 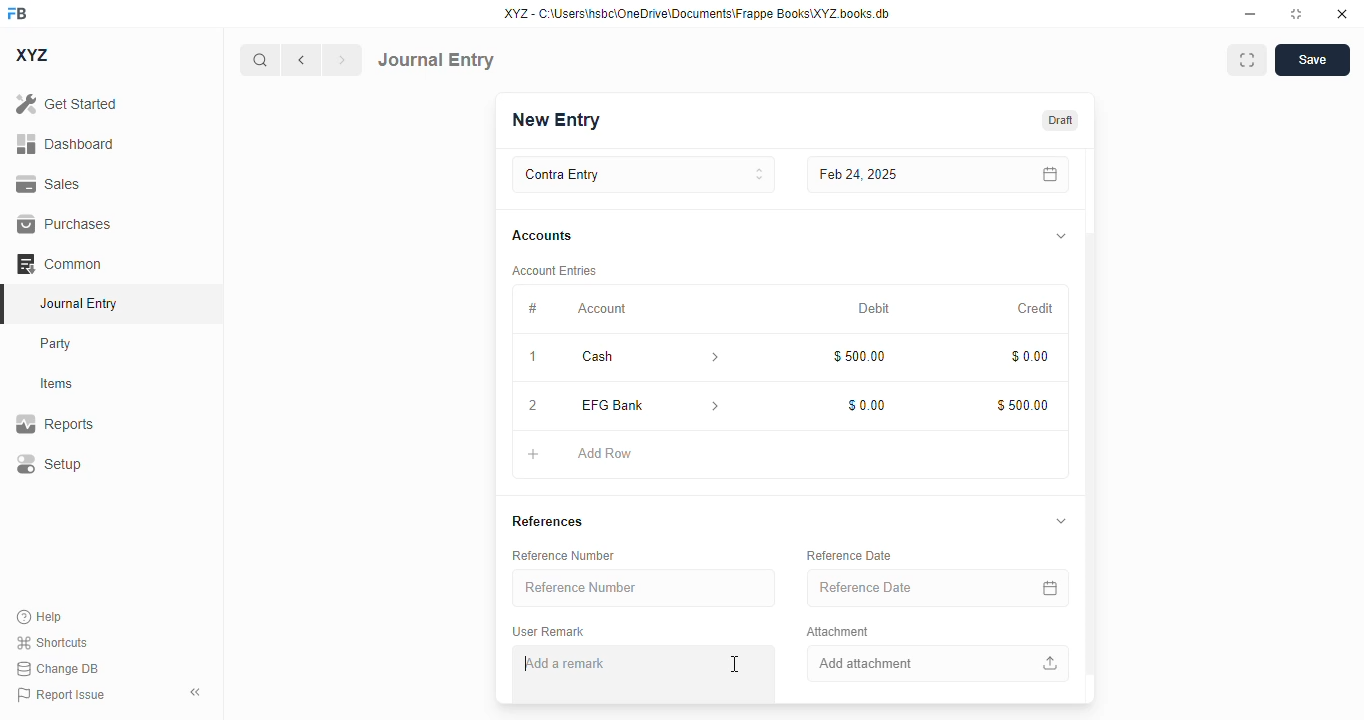 I want to click on new entry, so click(x=557, y=119).